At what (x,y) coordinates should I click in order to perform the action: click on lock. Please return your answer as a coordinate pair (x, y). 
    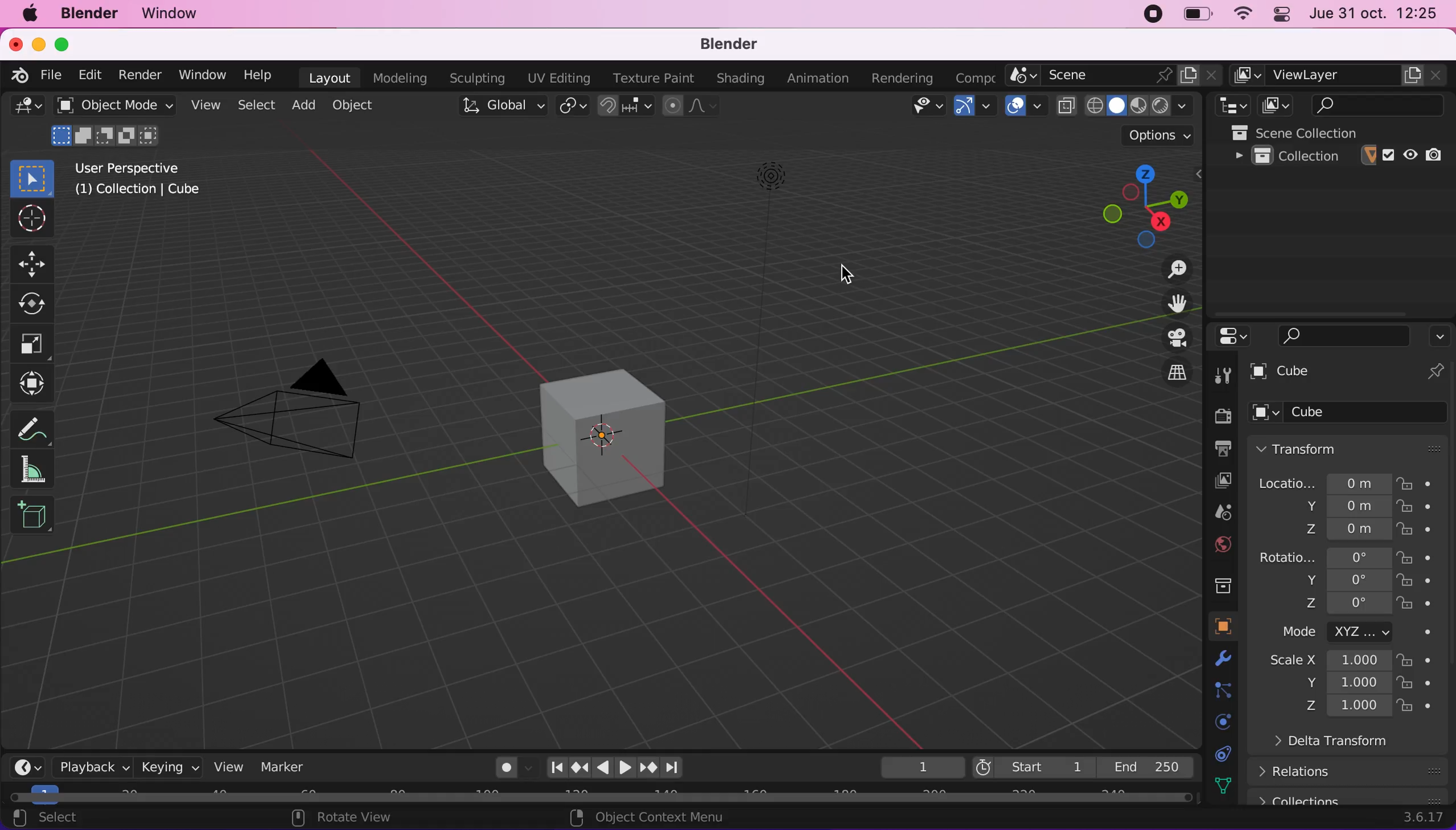
    Looking at the image, I should click on (1426, 660).